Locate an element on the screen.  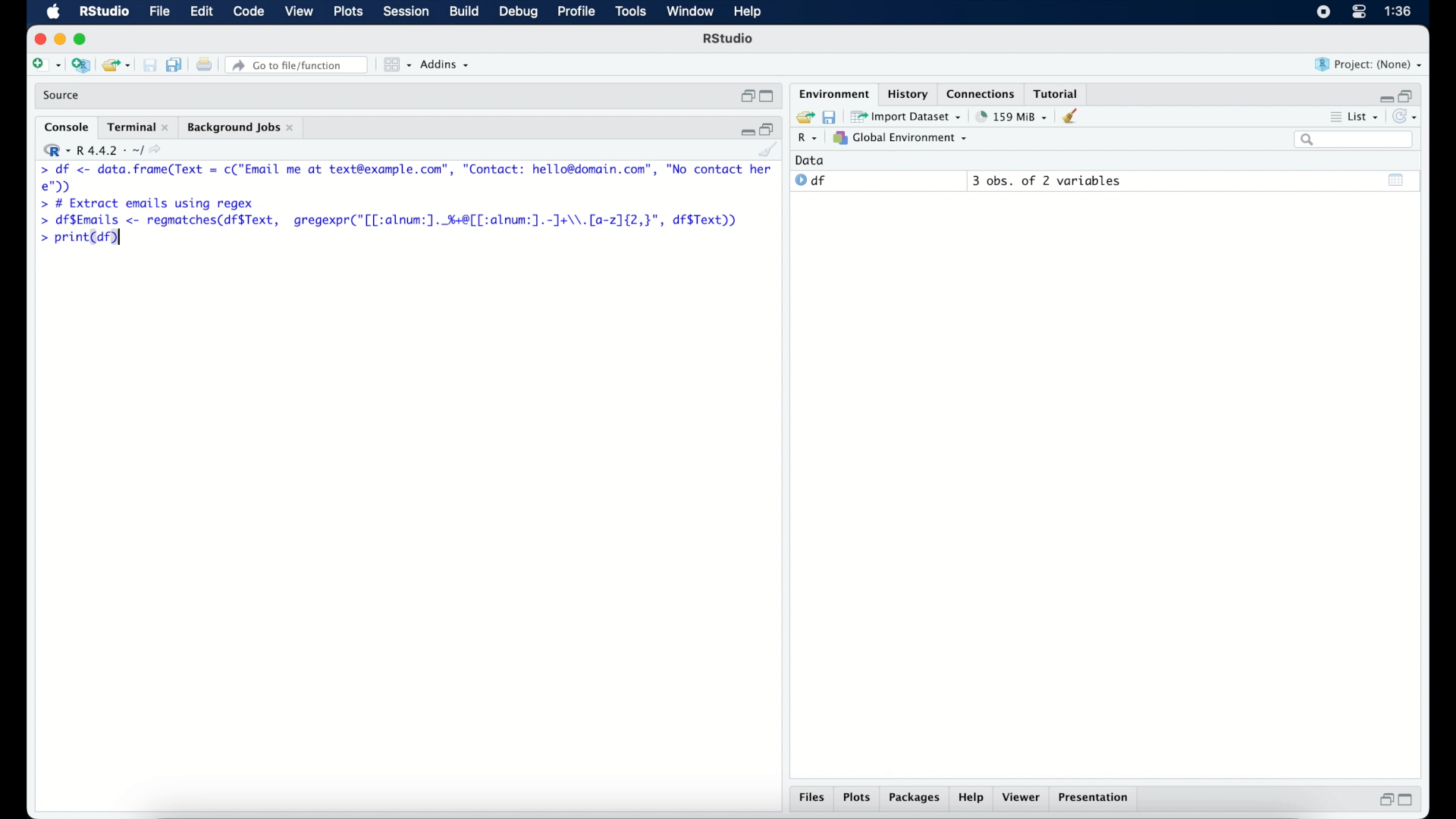
restore down is located at coordinates (1412, 96).